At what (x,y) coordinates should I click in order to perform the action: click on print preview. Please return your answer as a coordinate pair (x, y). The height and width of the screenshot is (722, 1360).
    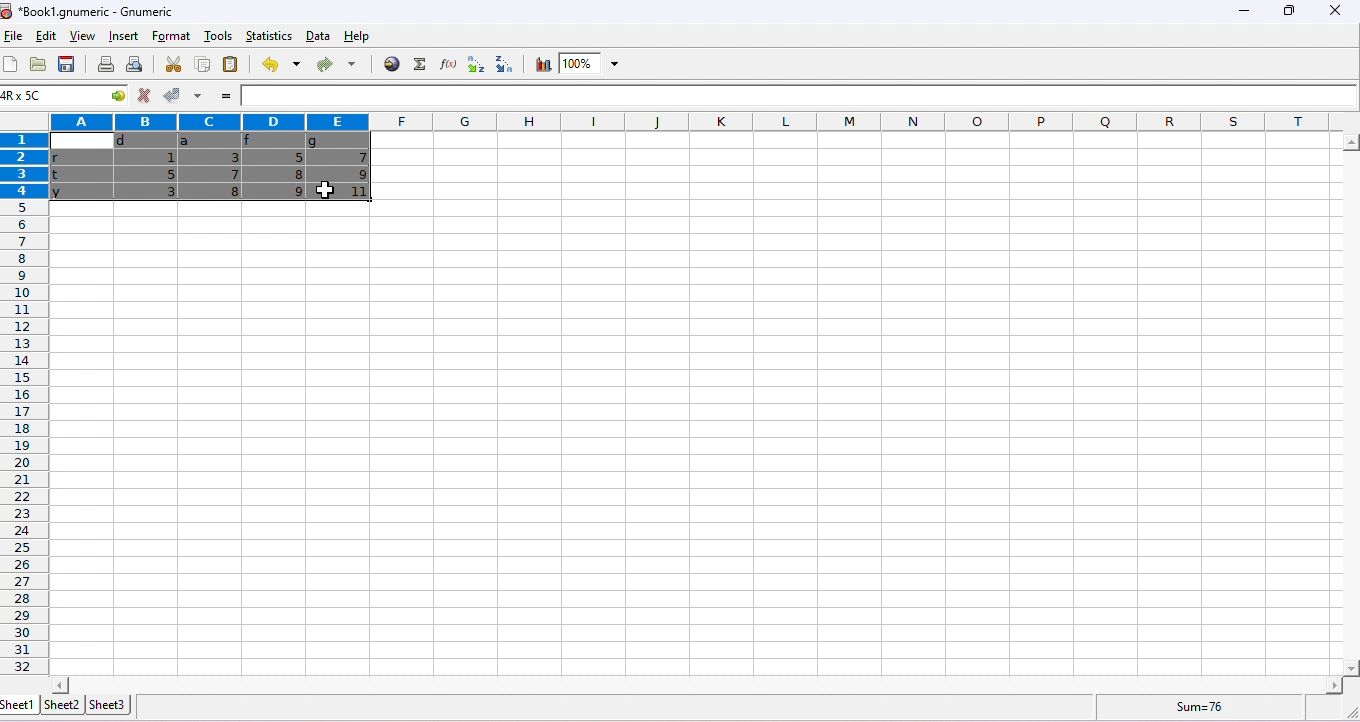
    Looking at the image, I should click on (133, 65).